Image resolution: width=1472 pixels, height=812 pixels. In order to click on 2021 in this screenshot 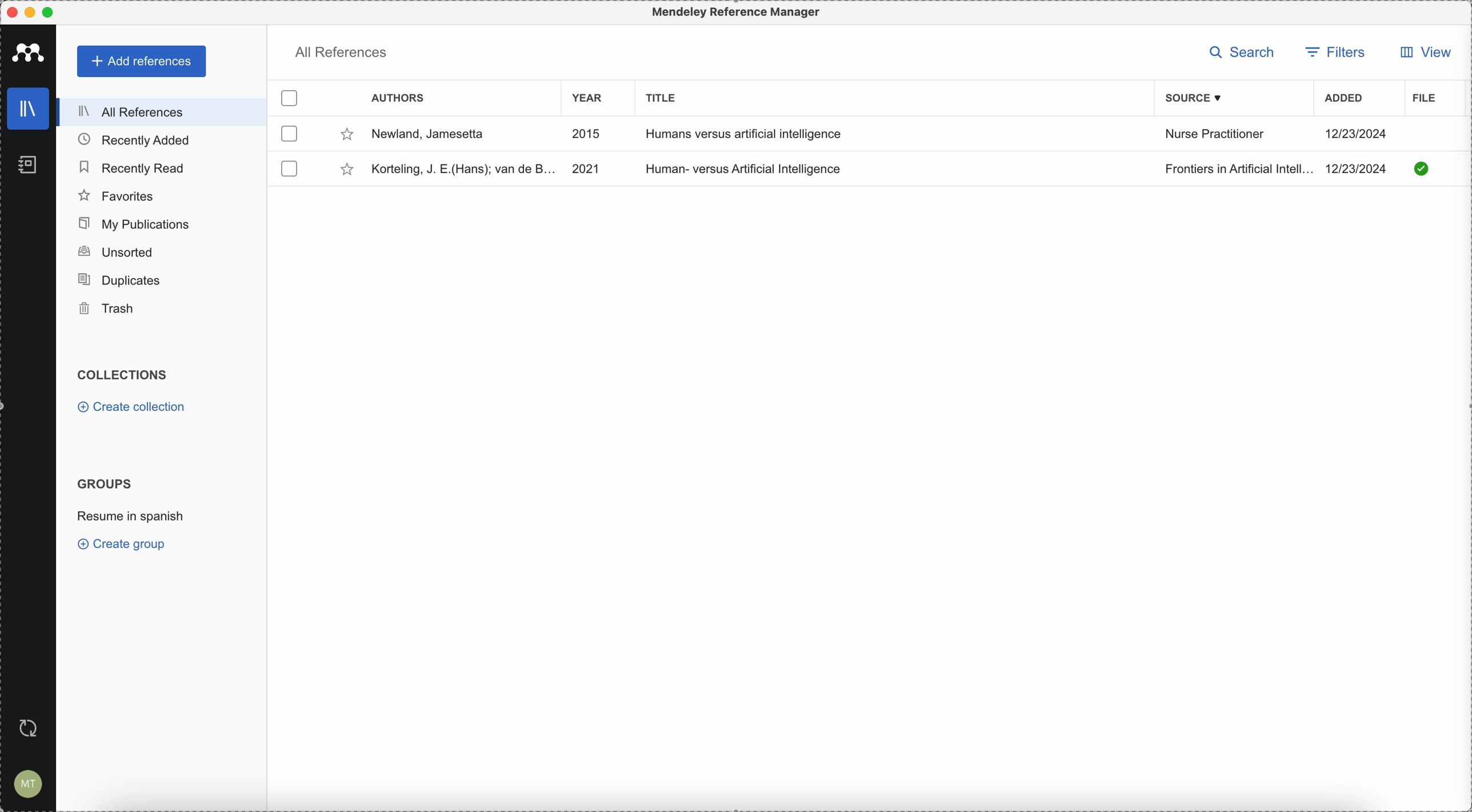, I will do `click(585, 167)`.